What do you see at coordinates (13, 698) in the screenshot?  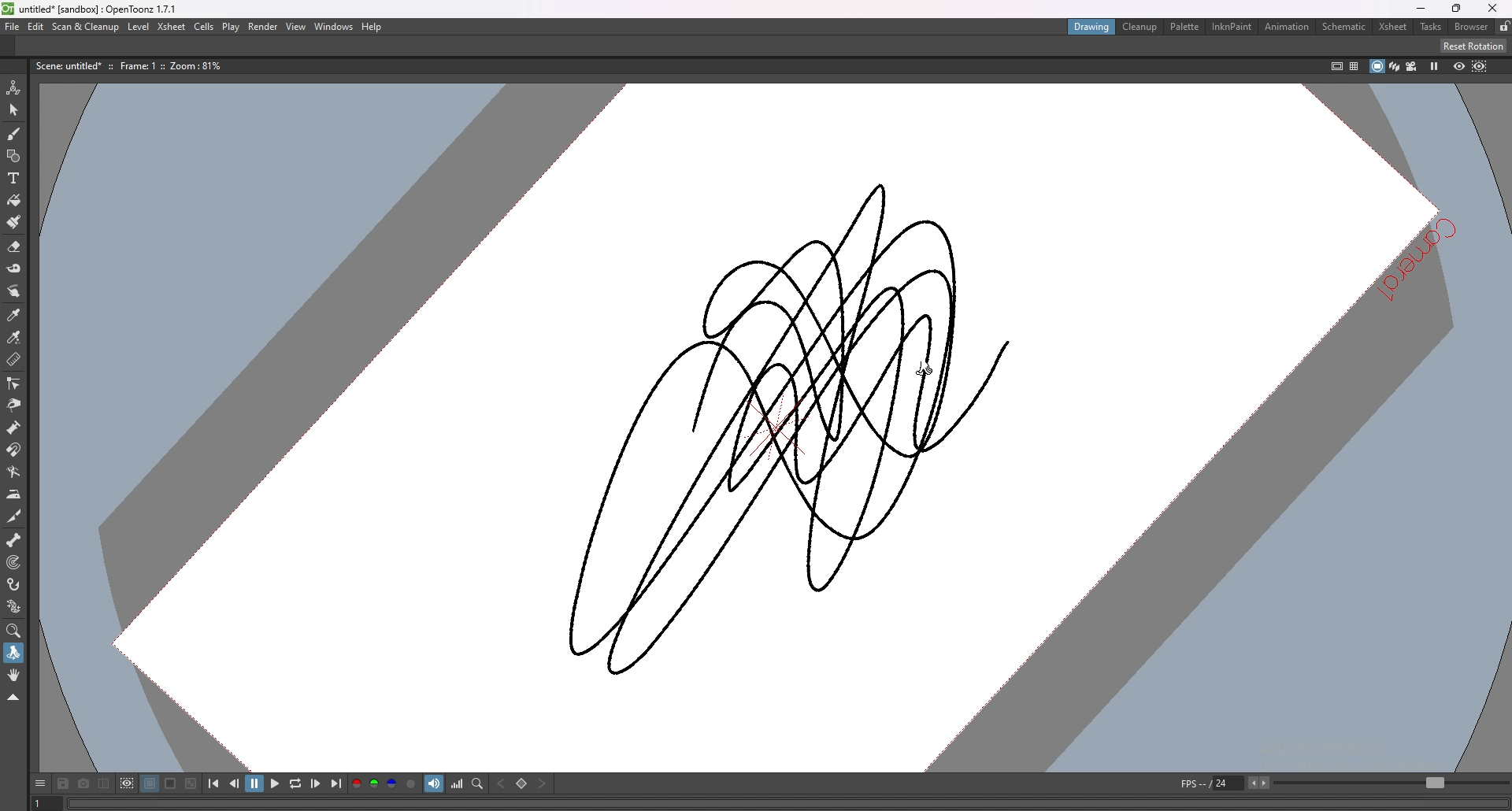 I see `collapse` at bounding box center [13, 698].